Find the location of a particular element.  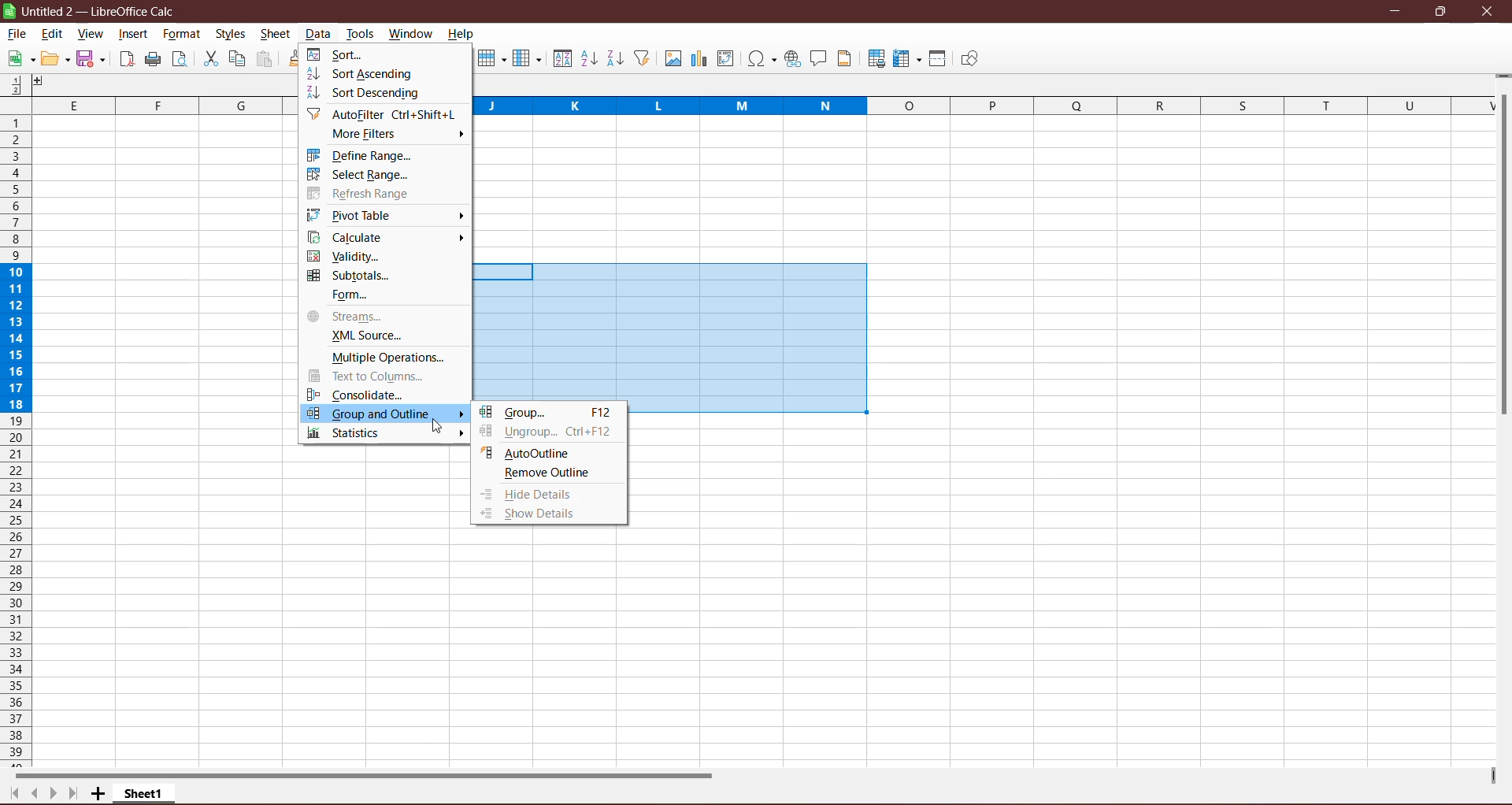

Scroll to previous page is located at coordinates (32, 793).